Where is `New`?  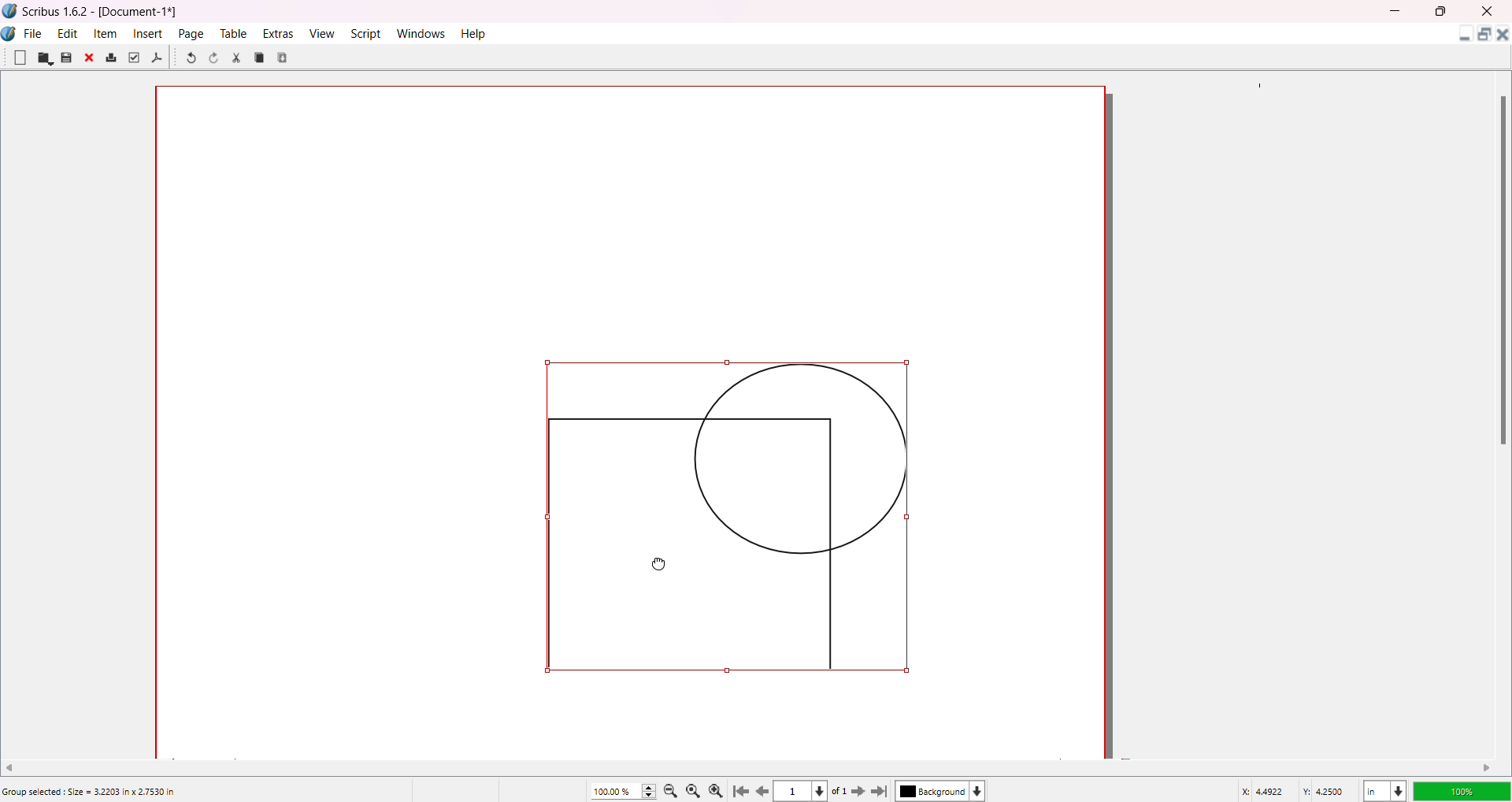
New is located at coordinates (20, 57).